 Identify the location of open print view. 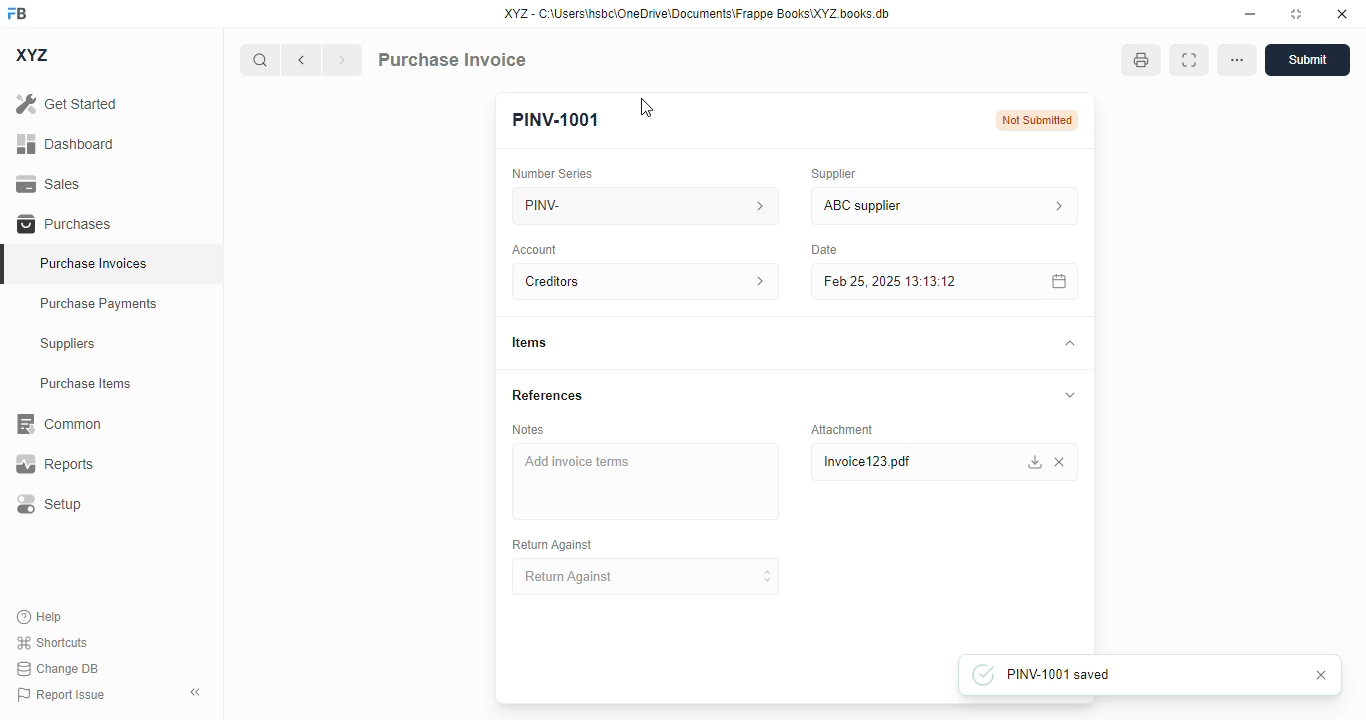
(1141, 60).